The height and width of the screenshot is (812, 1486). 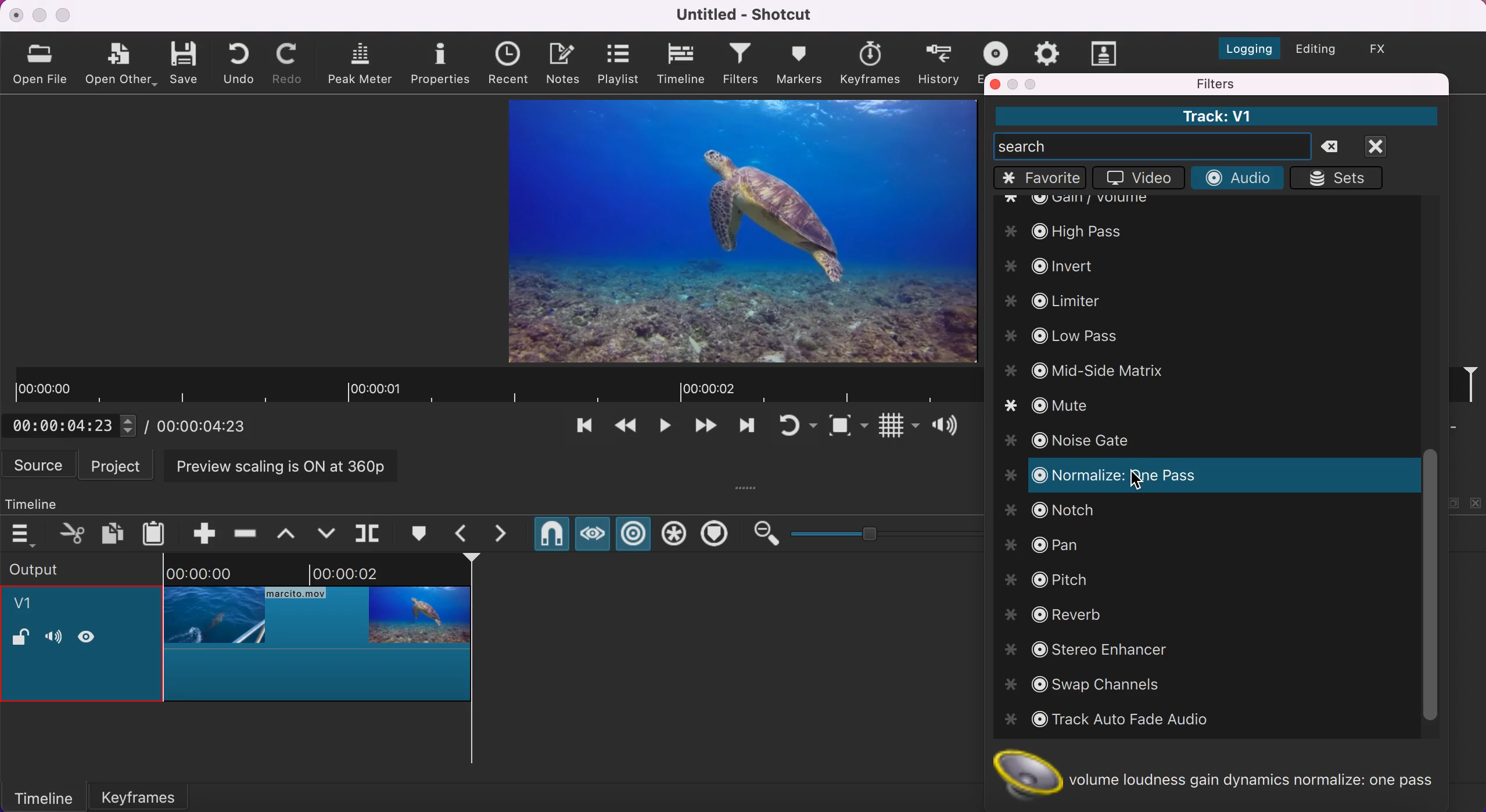 What do you see at coordinates (765, 534) in the screenshot?
I see `zoom out` at bounding box center [765, 534].